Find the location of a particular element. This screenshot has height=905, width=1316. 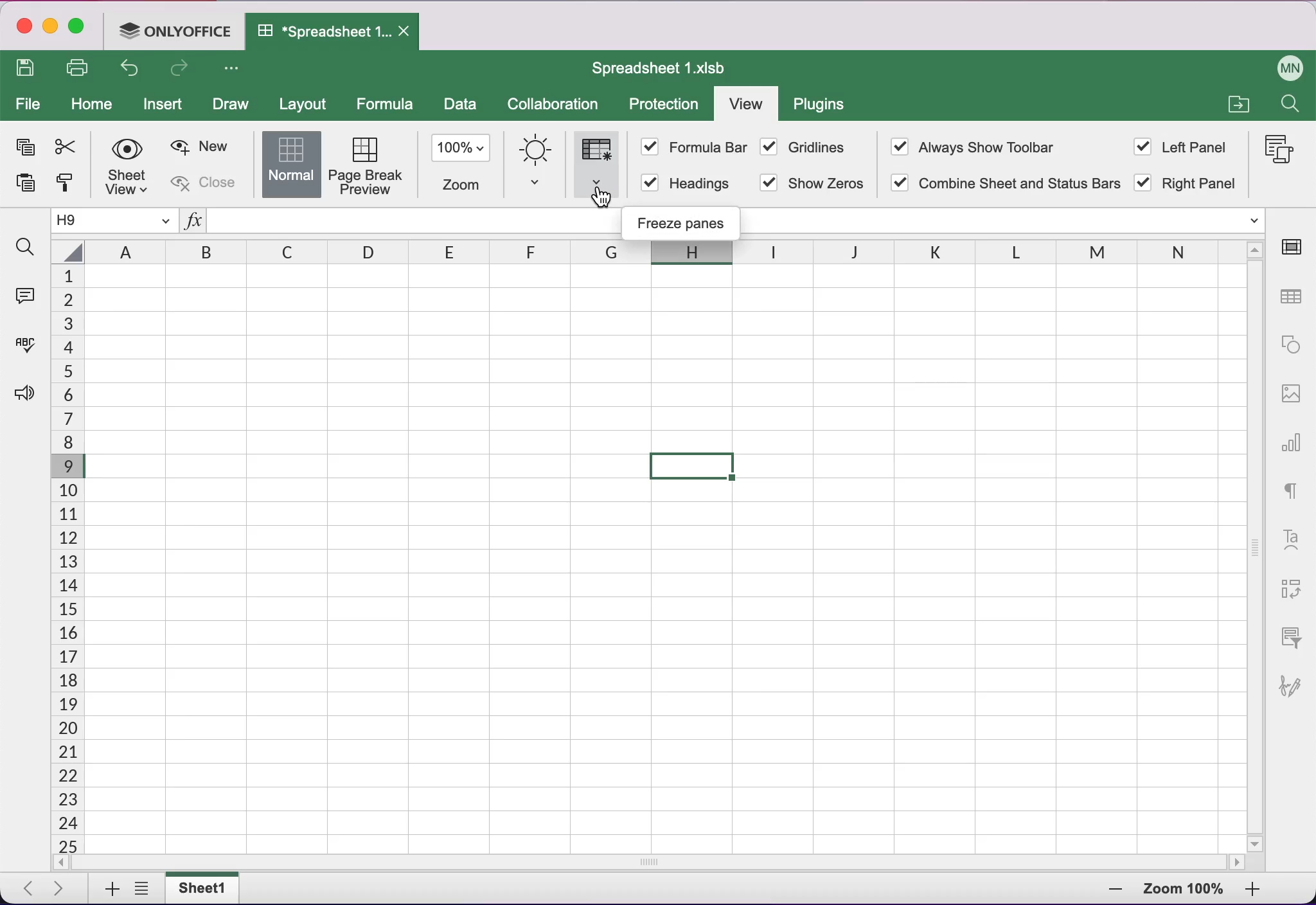

cells is located at coordinates (66, 559).